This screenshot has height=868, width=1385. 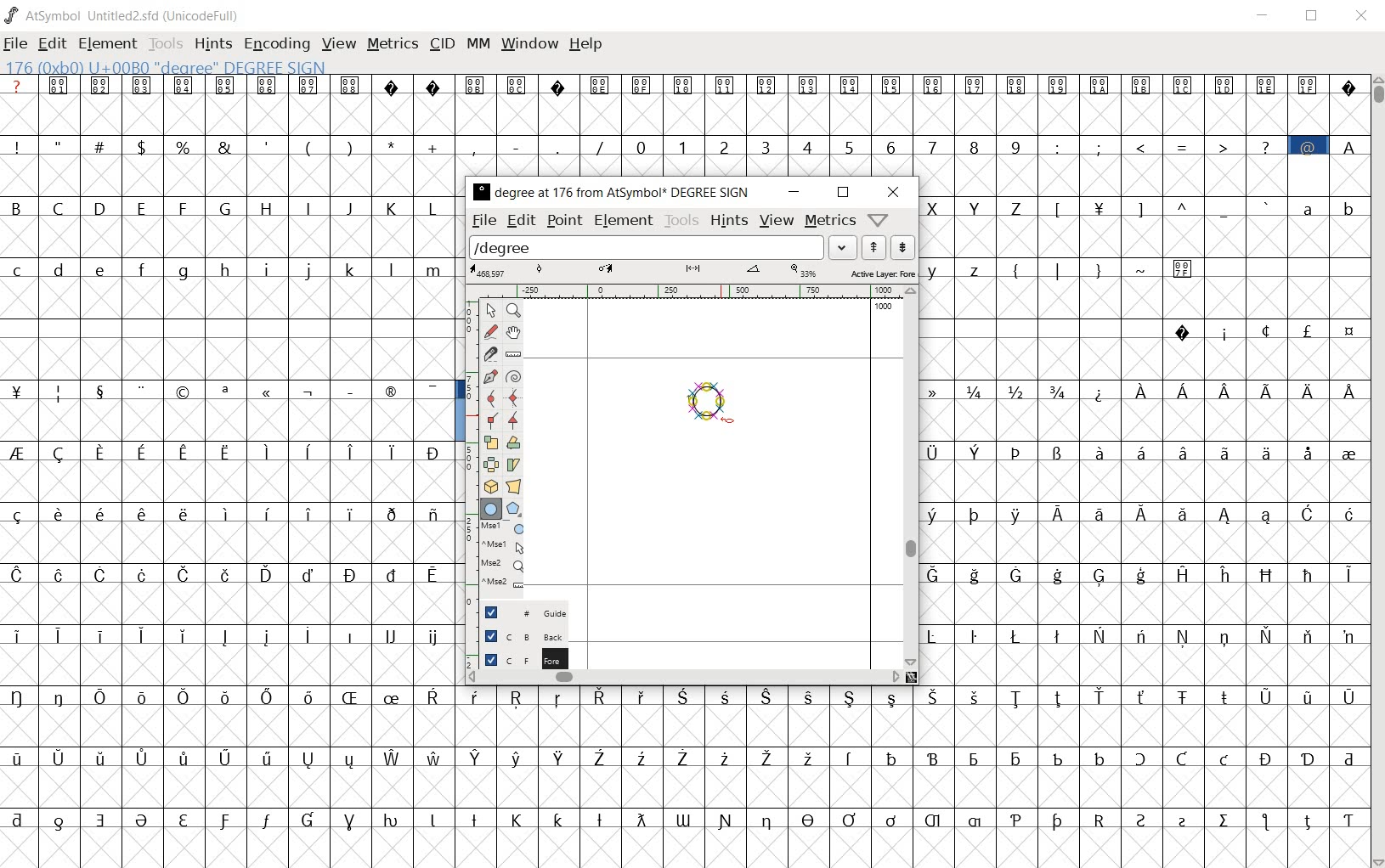 I want to click on tools, so click(x=681, y=221).